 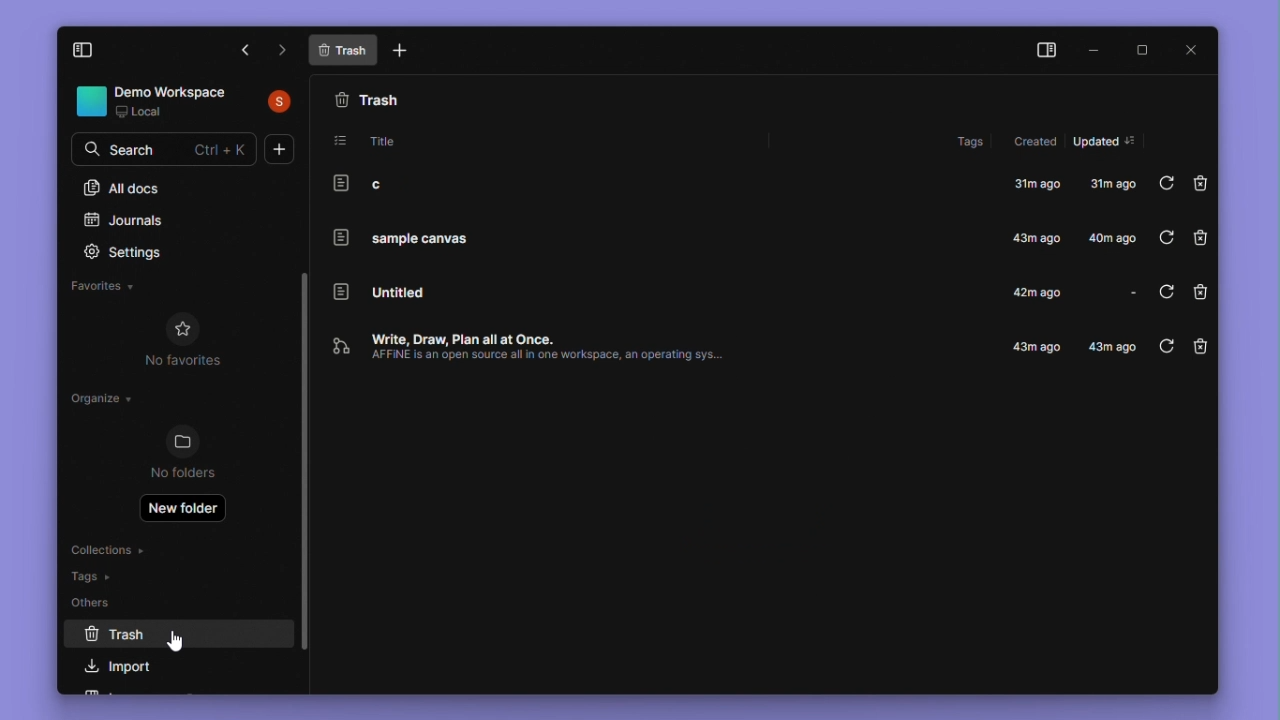 I want to click on Maximize, so click(x=1147, y=48).